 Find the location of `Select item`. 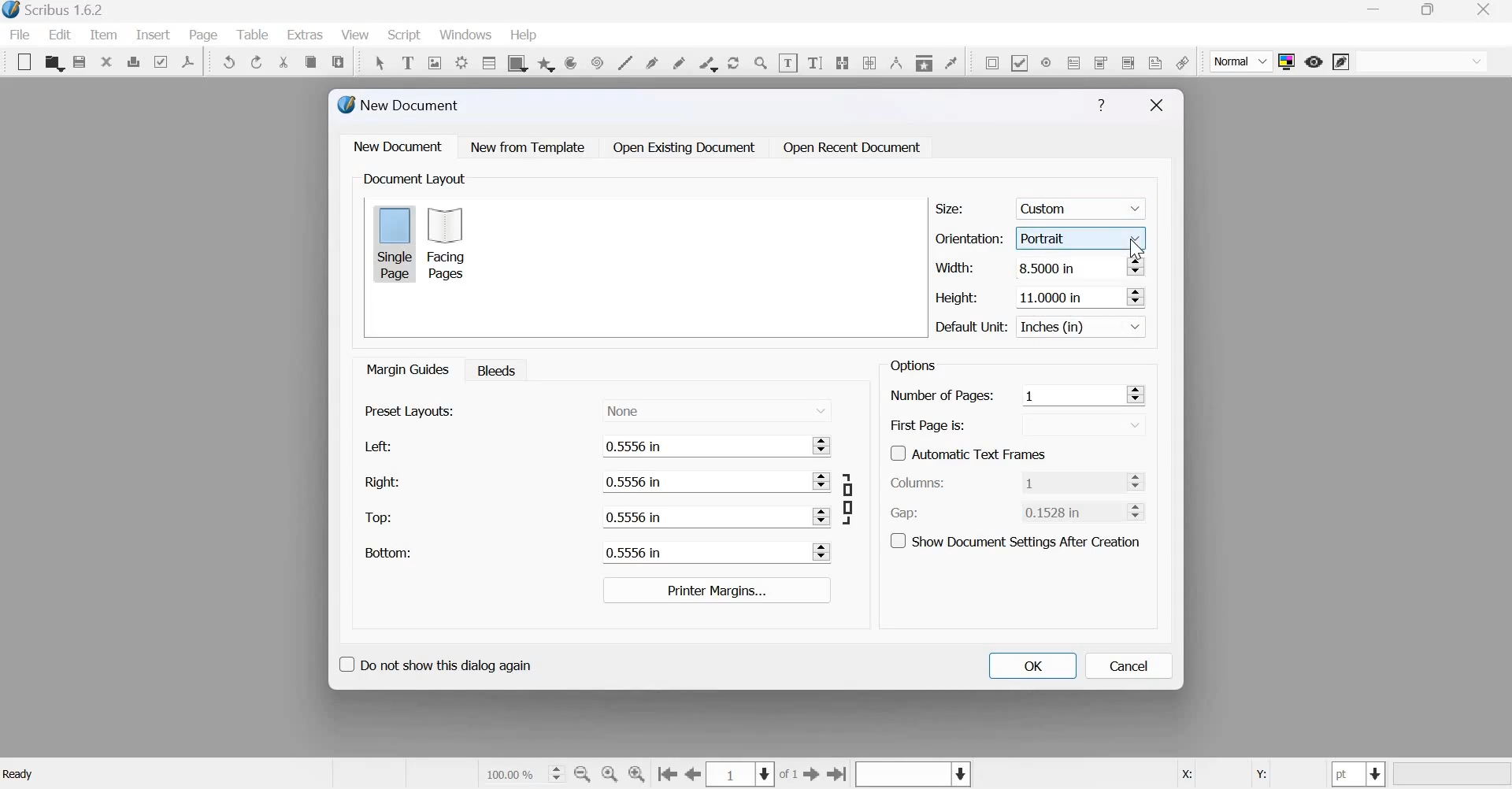

Select item is located at coordinates (380, 61).